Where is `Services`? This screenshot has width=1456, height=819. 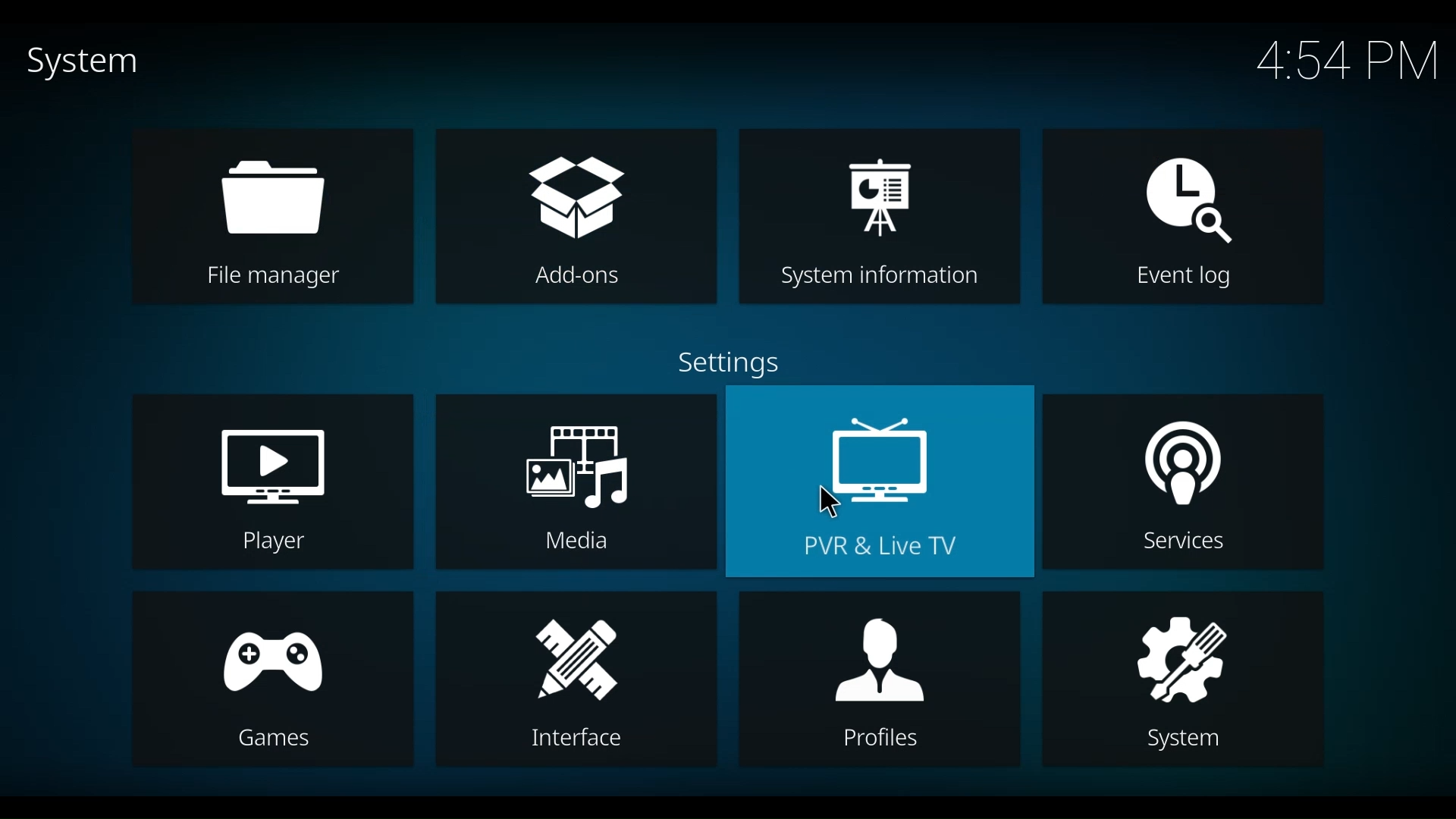 Services is located at coordinates (1181, 482).